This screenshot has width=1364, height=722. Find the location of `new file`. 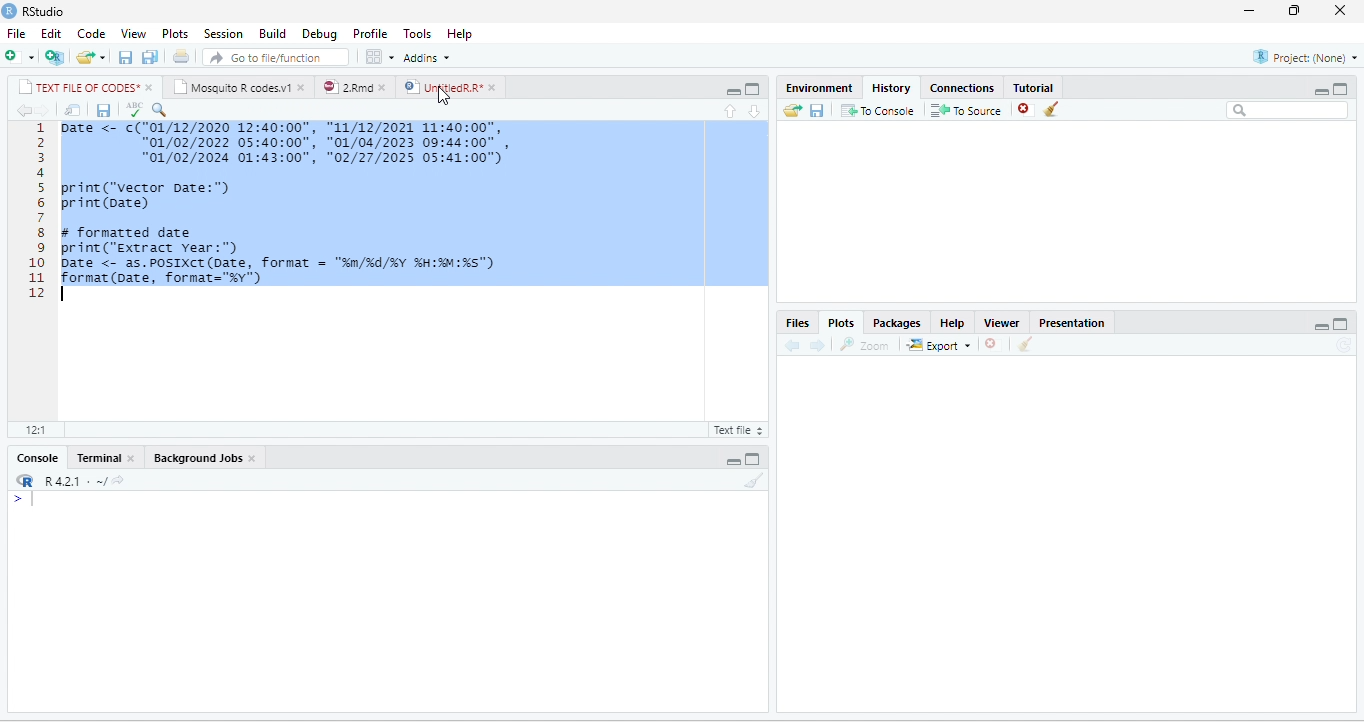

new file is located at coordinates (20, 57).